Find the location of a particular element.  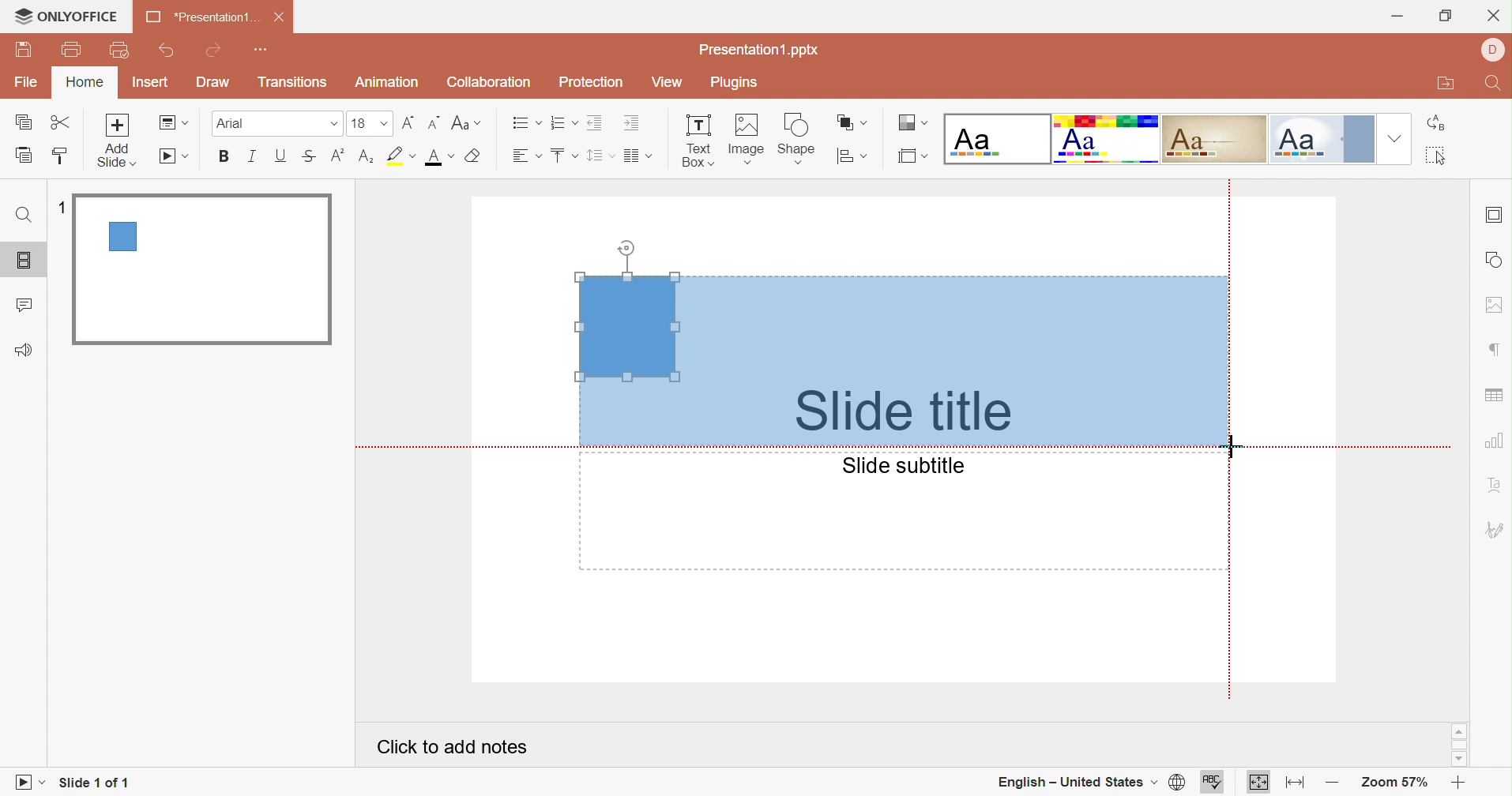

DELL is located at coordinates (1494, 51).